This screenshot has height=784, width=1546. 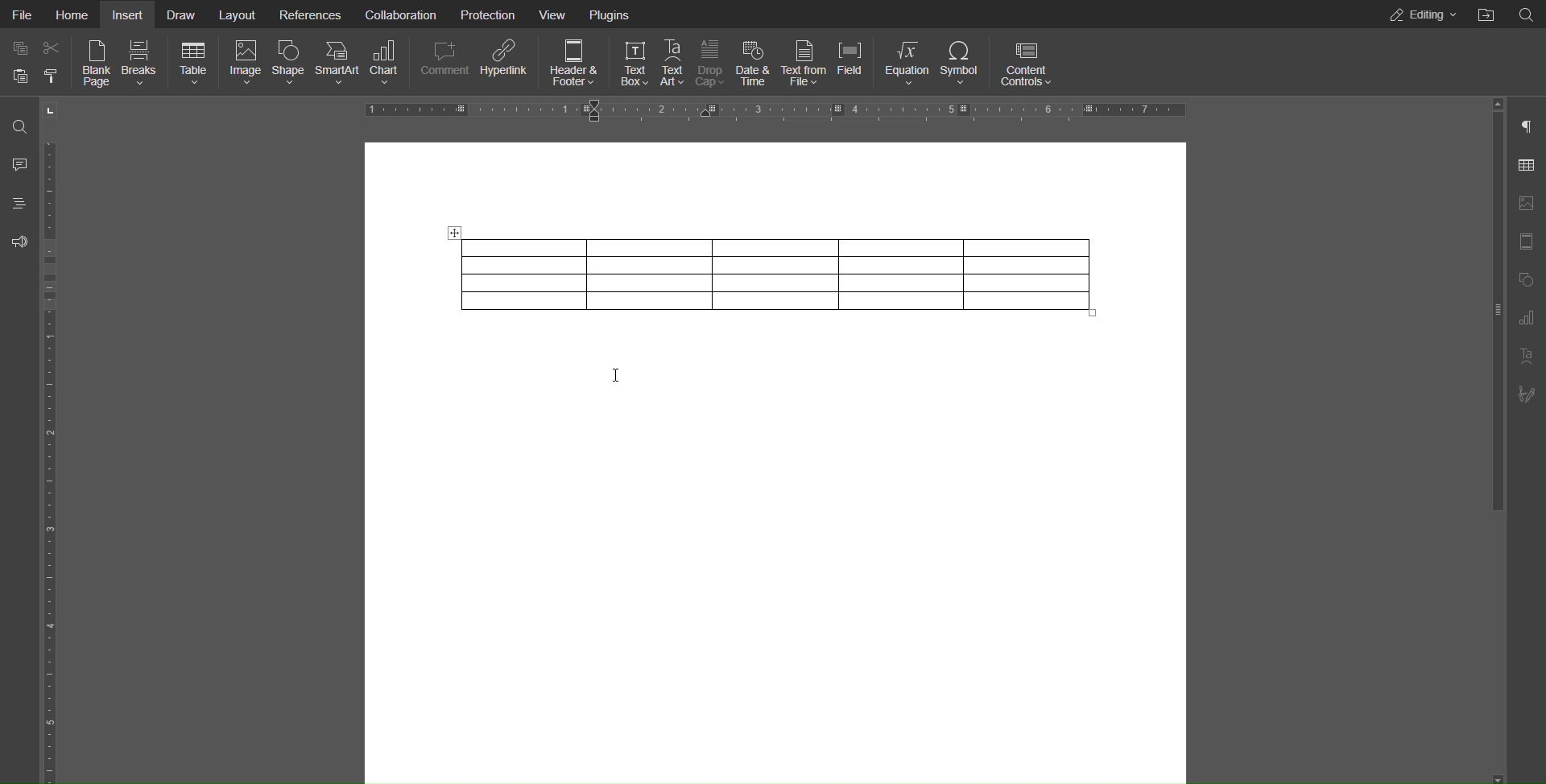 I want to click on Vertical Ruler, so click(x=50, y=457).